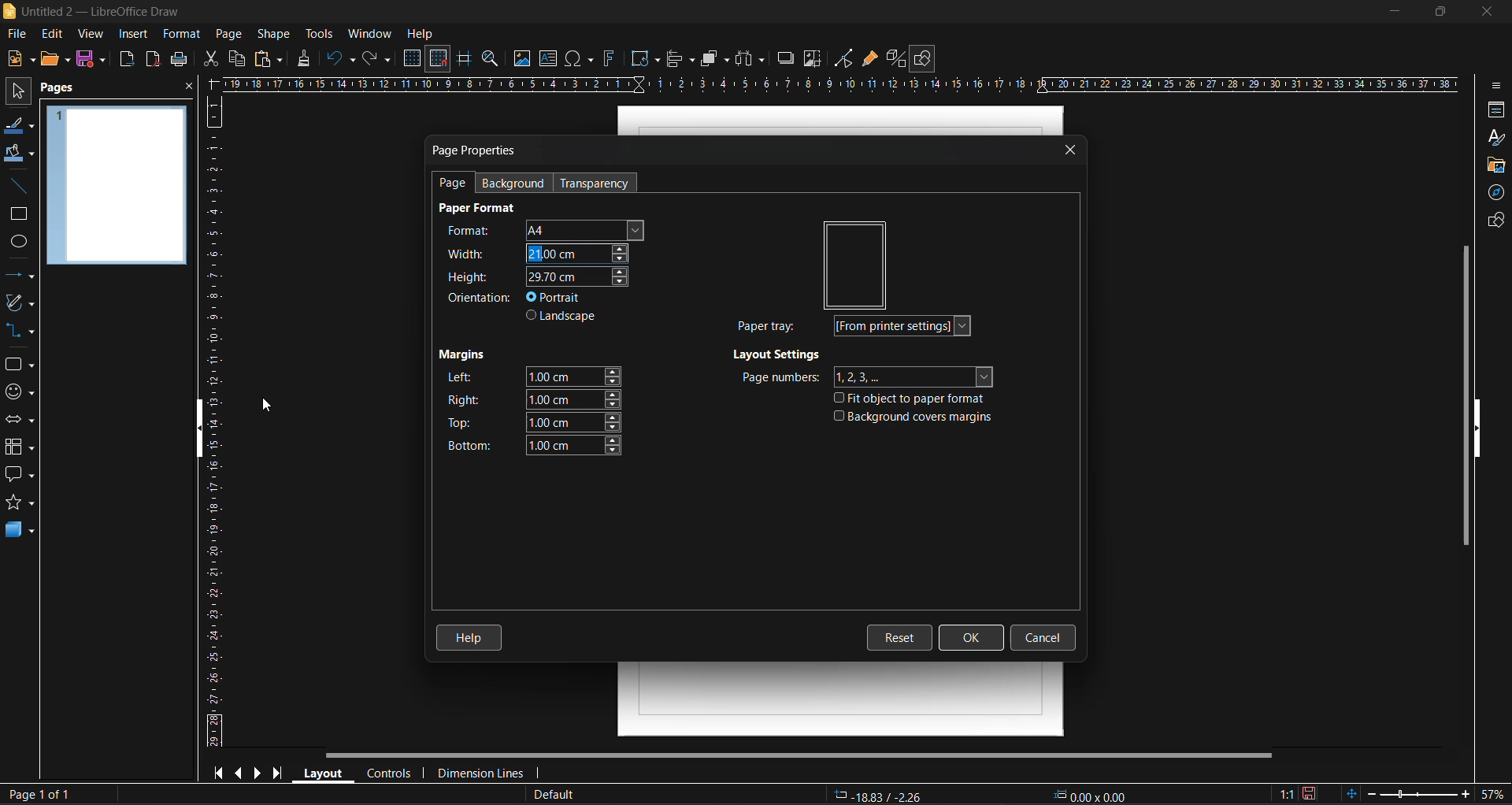 The width and height of the screenshot is (1512, 805). What do you see at coordinates (20, 128) in the screenshot?
I see `line color` at bounding box center [20, 128].